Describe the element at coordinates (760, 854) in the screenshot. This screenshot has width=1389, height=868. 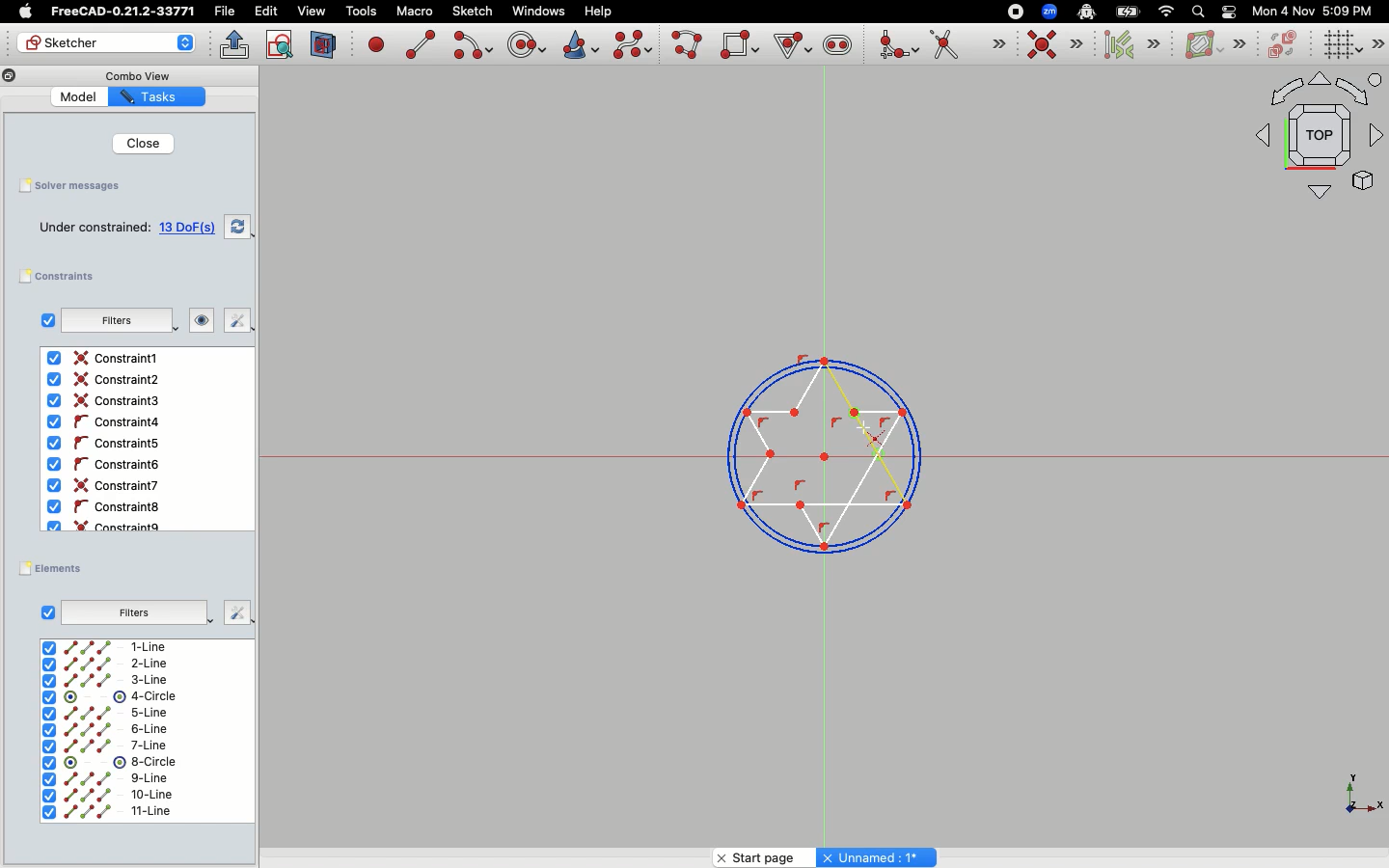
I see `Start page` at that location.